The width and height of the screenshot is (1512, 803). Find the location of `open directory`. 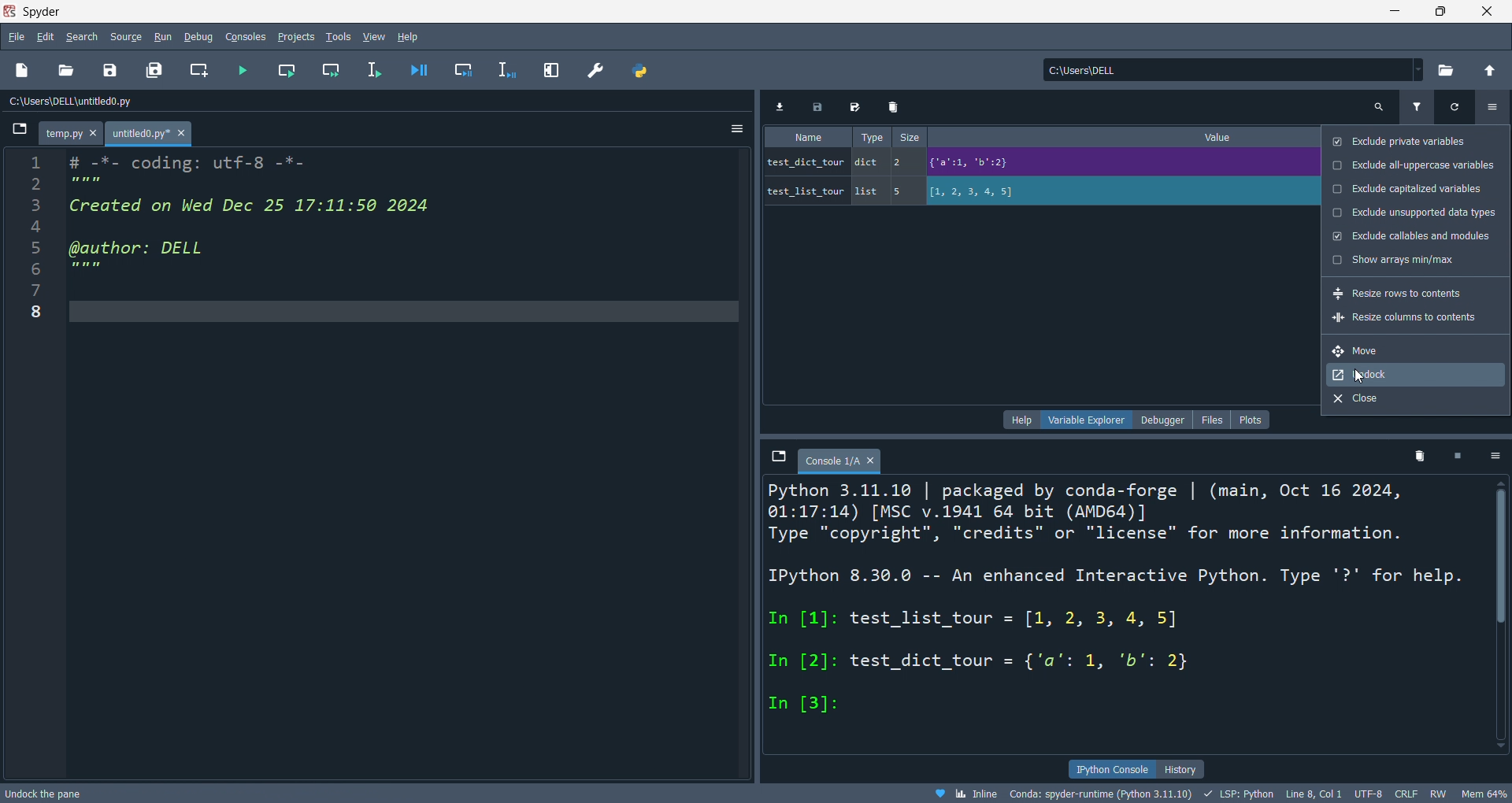

open directory is located at coordinates (1445, 73).